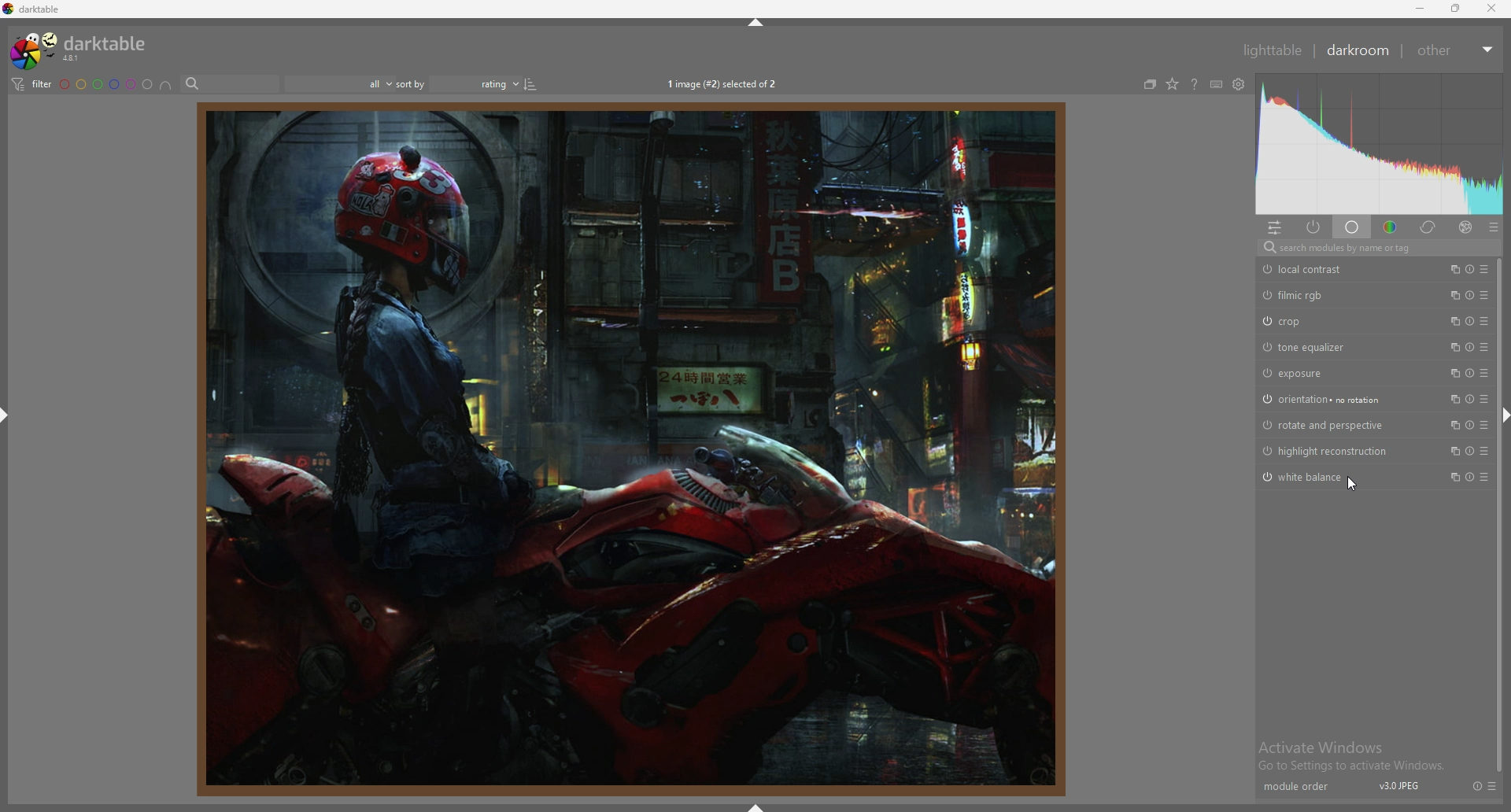 This screenshot has height=812, width=1511. Describe the element at coordinates (1359, 50) in the screenshot. I see `darkroom` at that location.